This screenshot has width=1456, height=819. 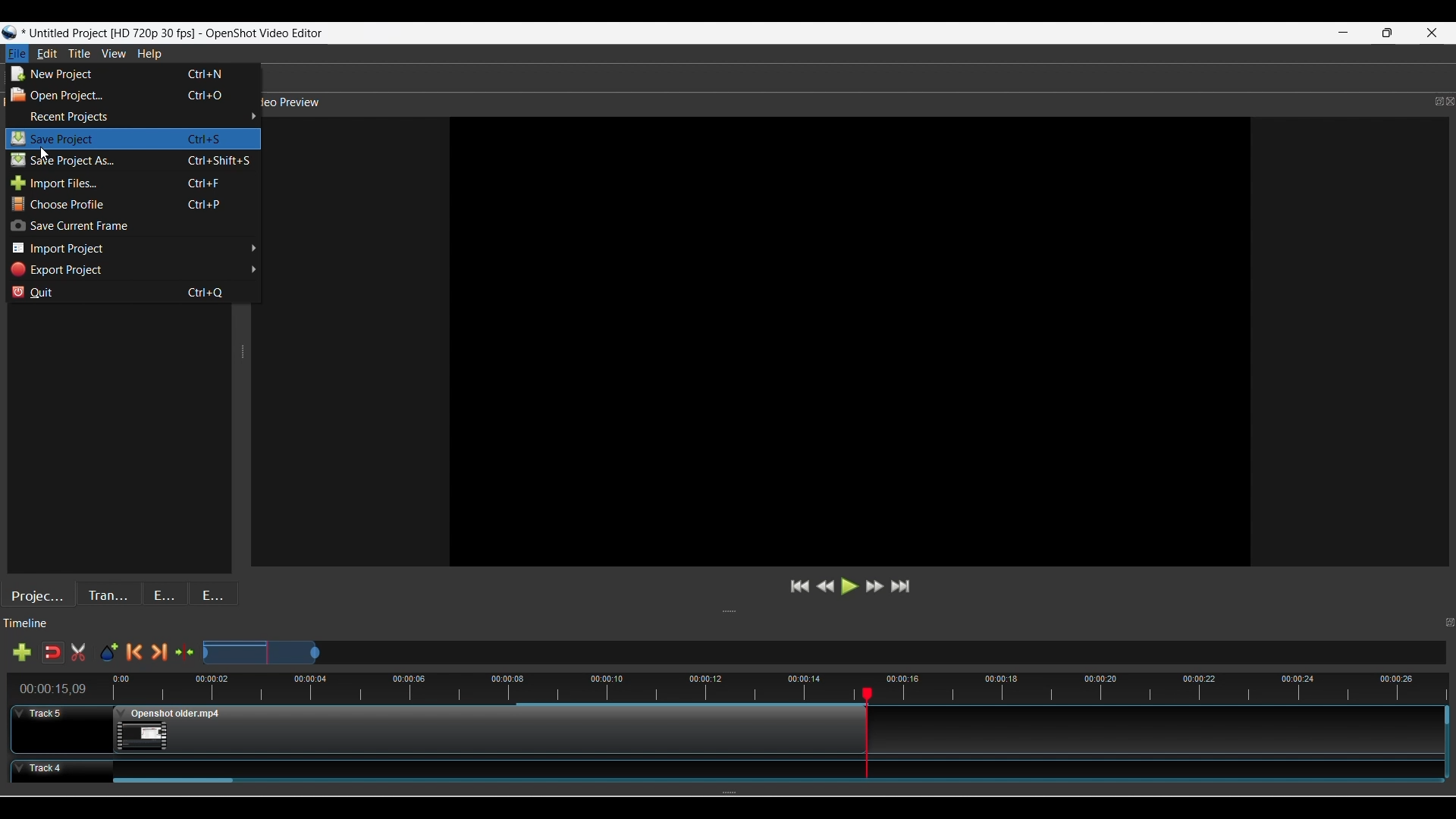 What do you see at coordinates (21, 652) in the screenshot?
I see `Add track` at bounding box center [21, 652].